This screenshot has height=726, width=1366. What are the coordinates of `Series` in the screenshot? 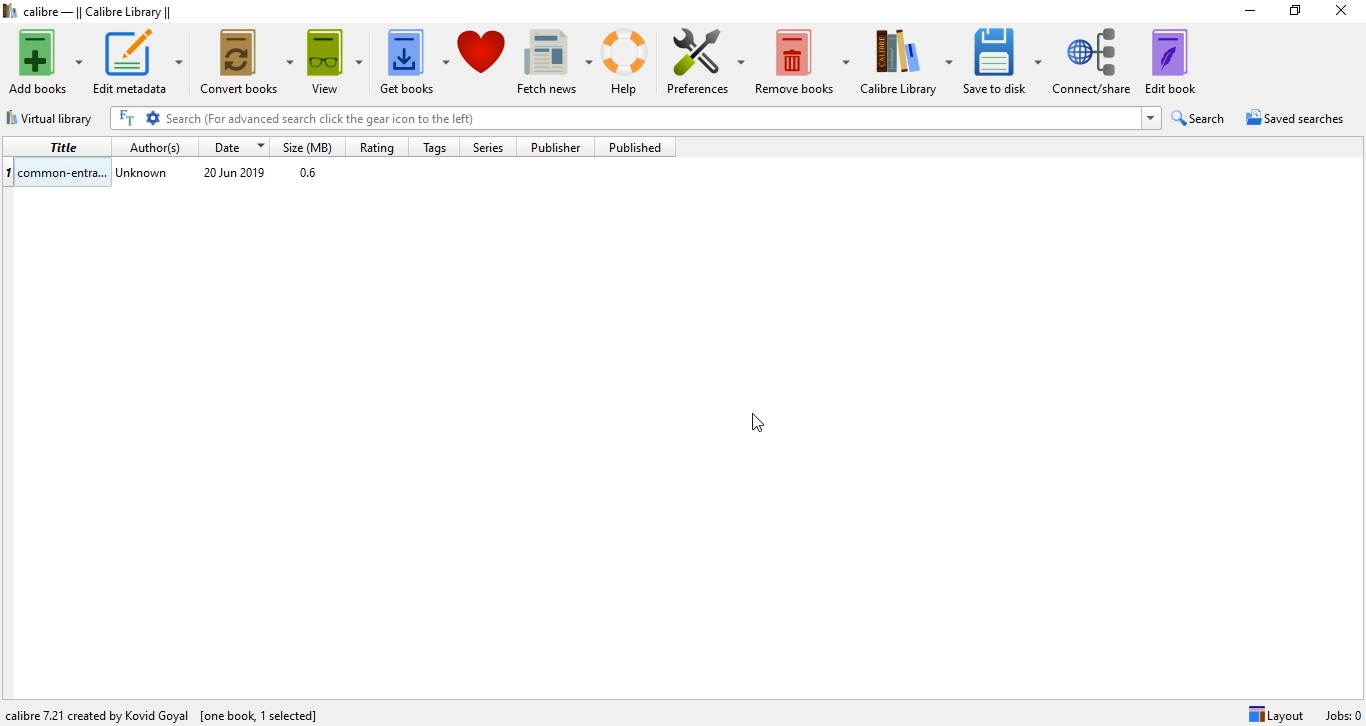 It's located at (485, 145).